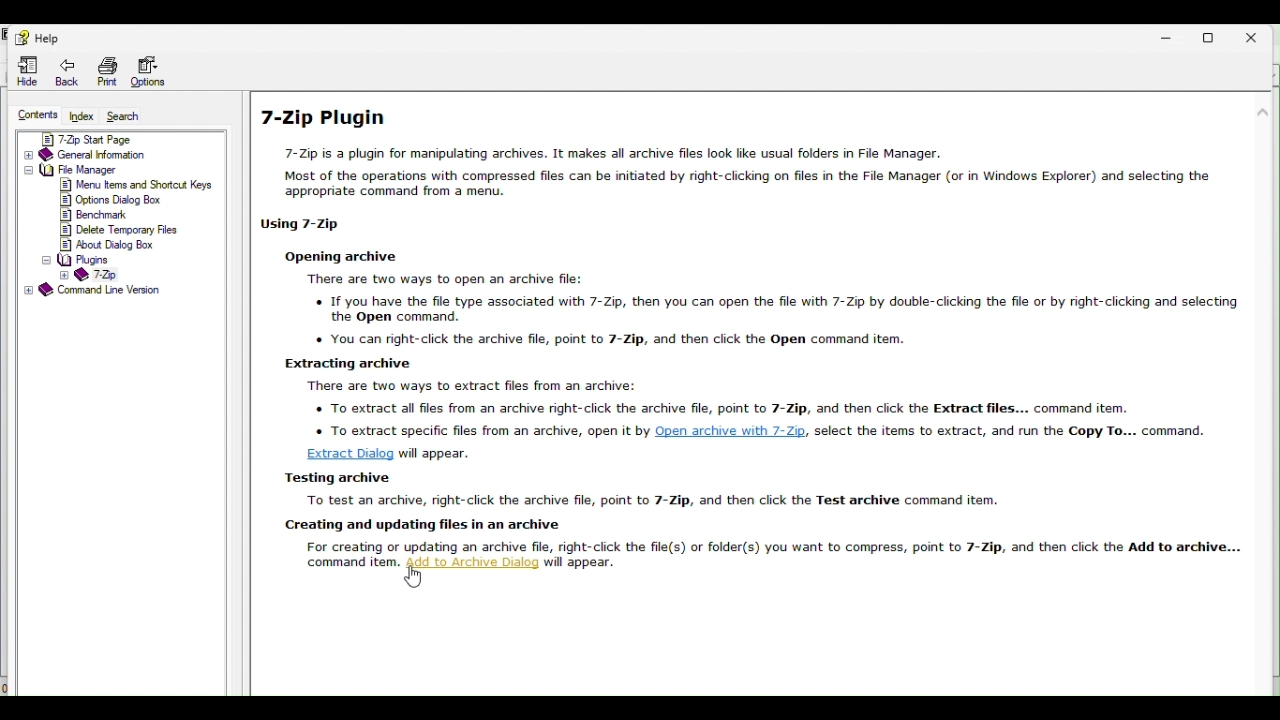 The width and height of the screenshot is (1280, 720). I want to click on help, so click(34, 35).